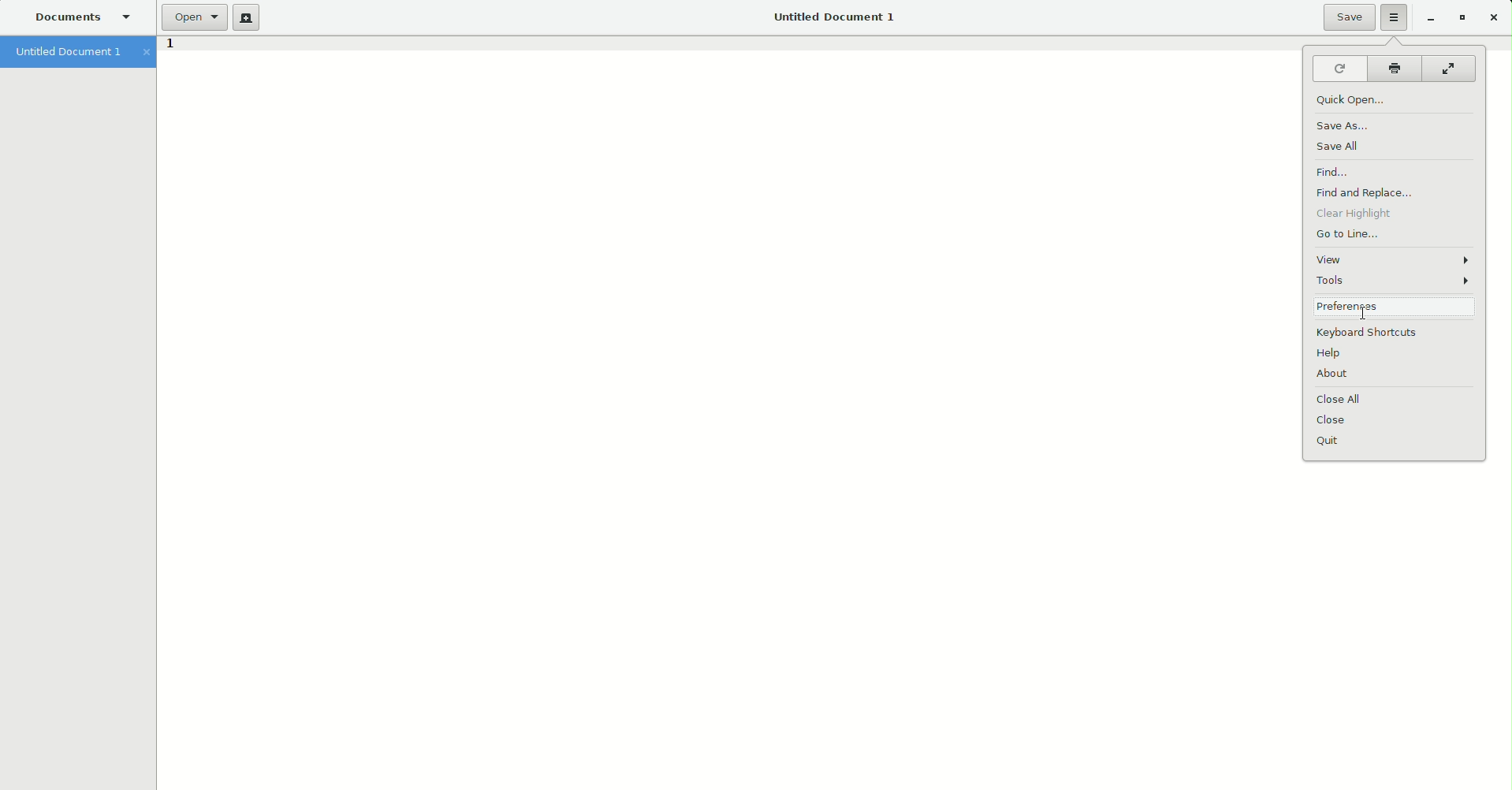 The image size is (1512, 790). I want to click on Keyboard shortcuts, so click(1373, 332).